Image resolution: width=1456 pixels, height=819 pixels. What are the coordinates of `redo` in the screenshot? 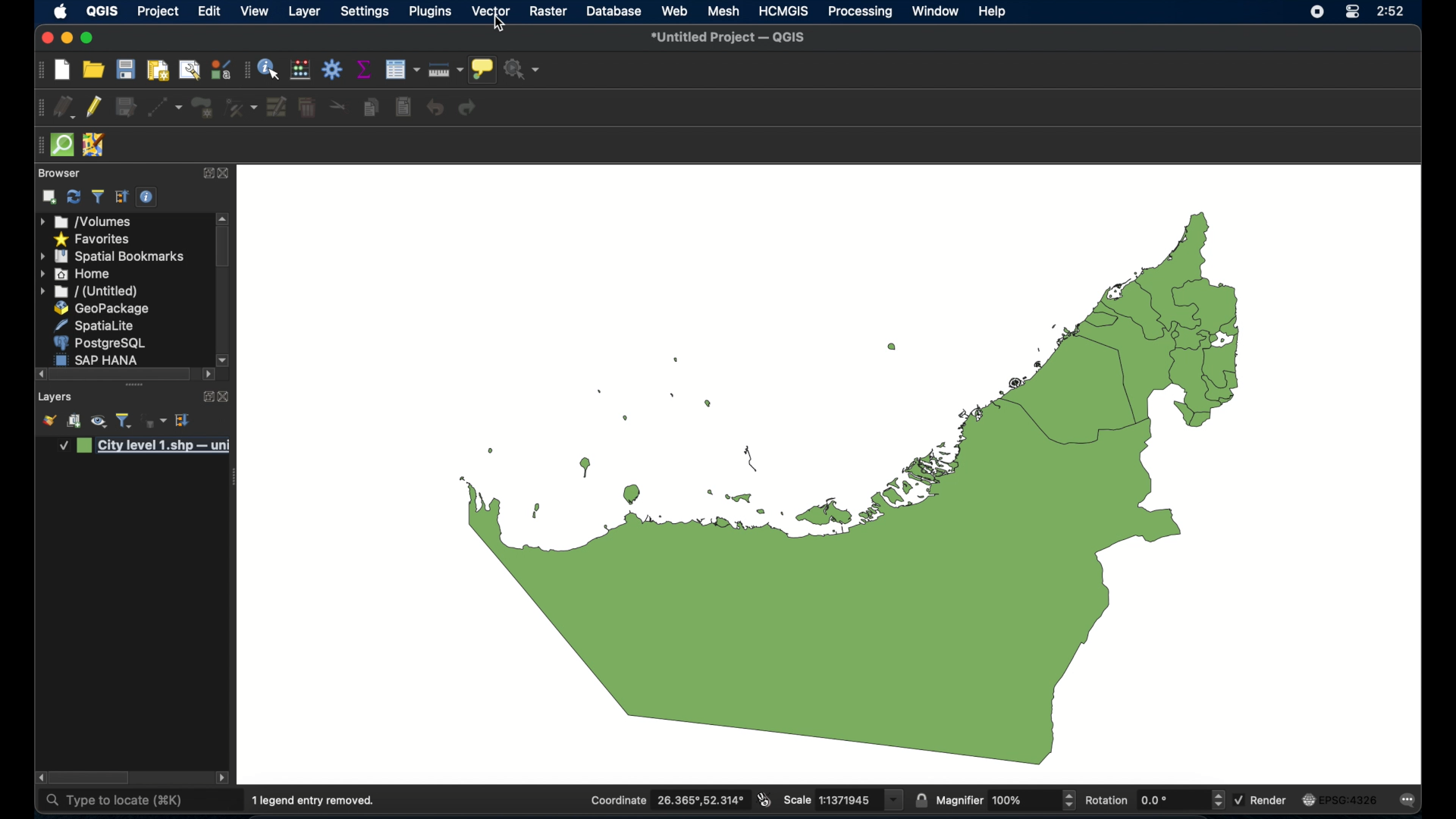 It's located at (468, 108).